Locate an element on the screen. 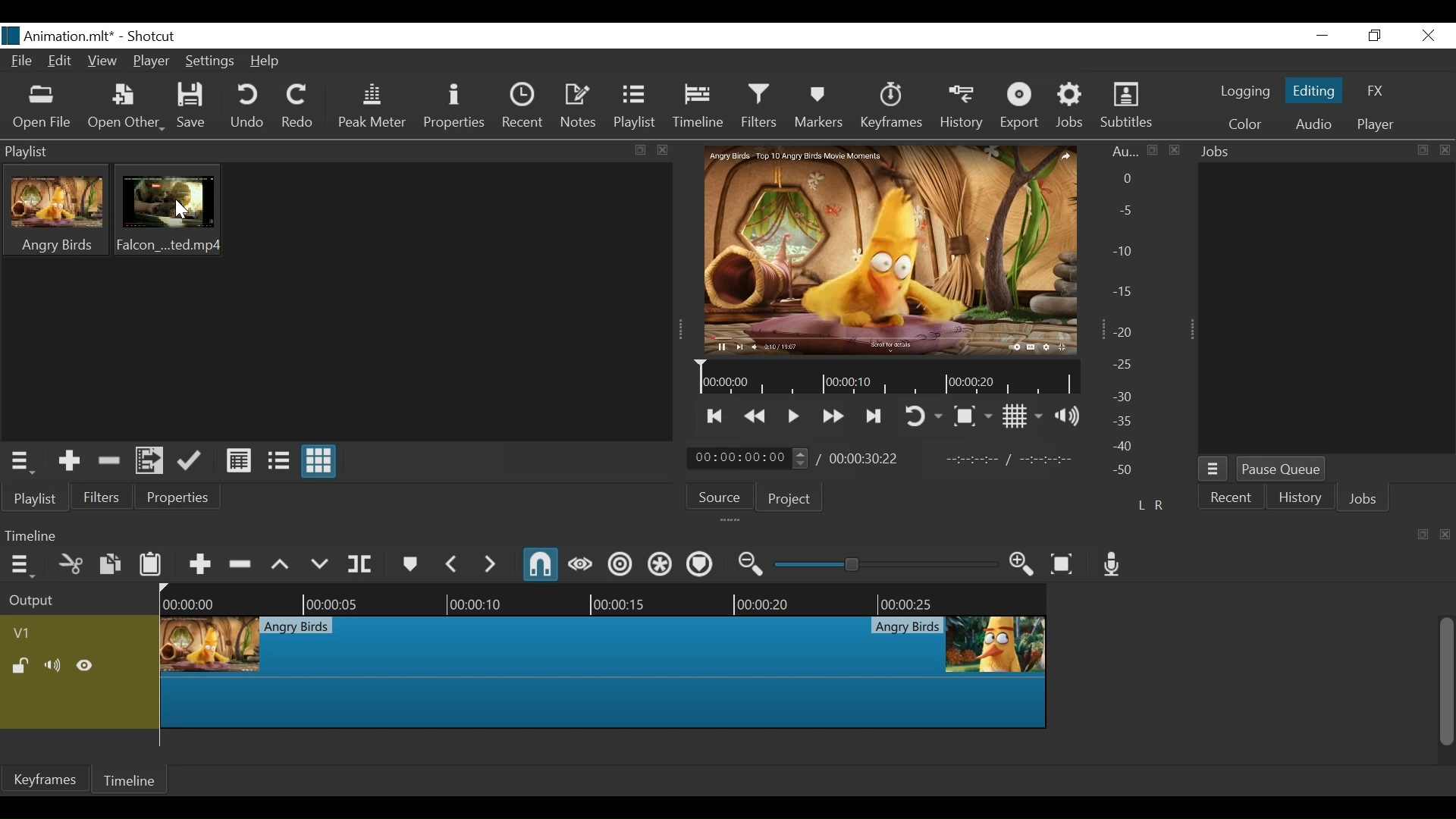  Ripple all tracks is located at coordinates (661, 565).